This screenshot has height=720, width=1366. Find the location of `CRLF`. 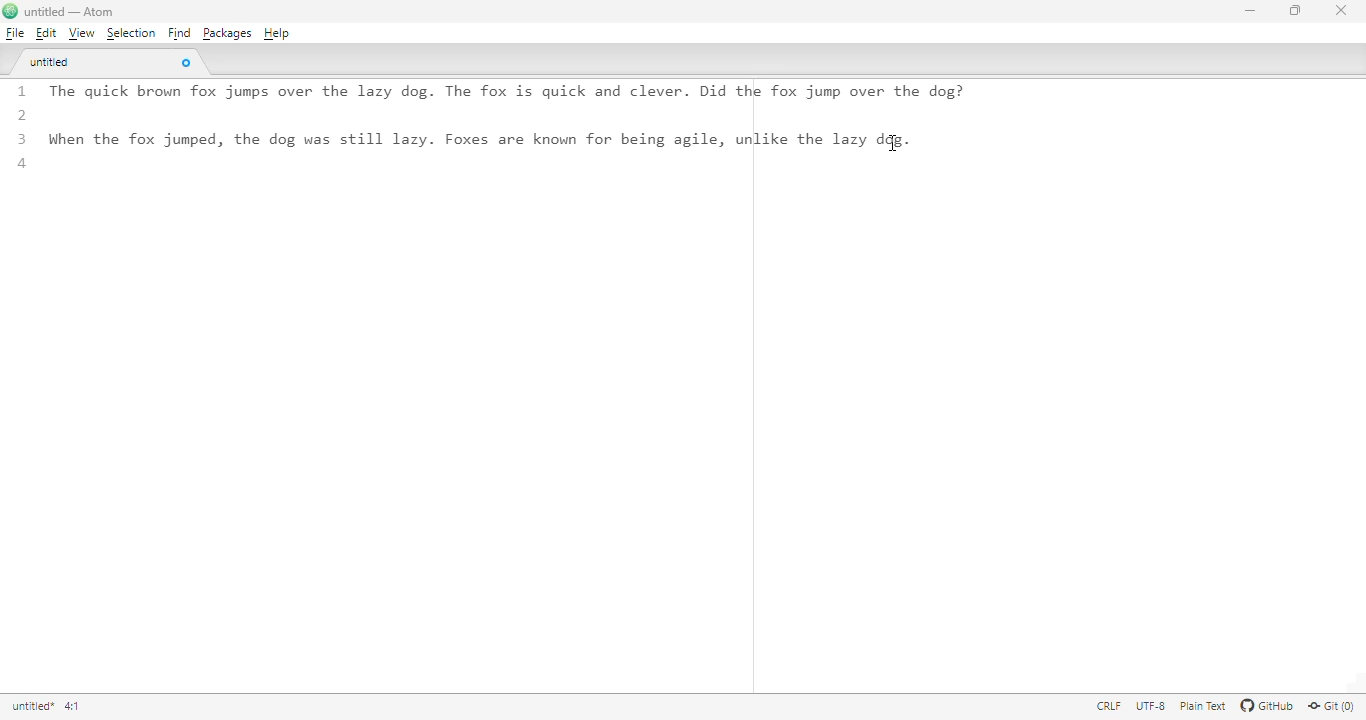

CRLF is located at coordinates (1110, 707).